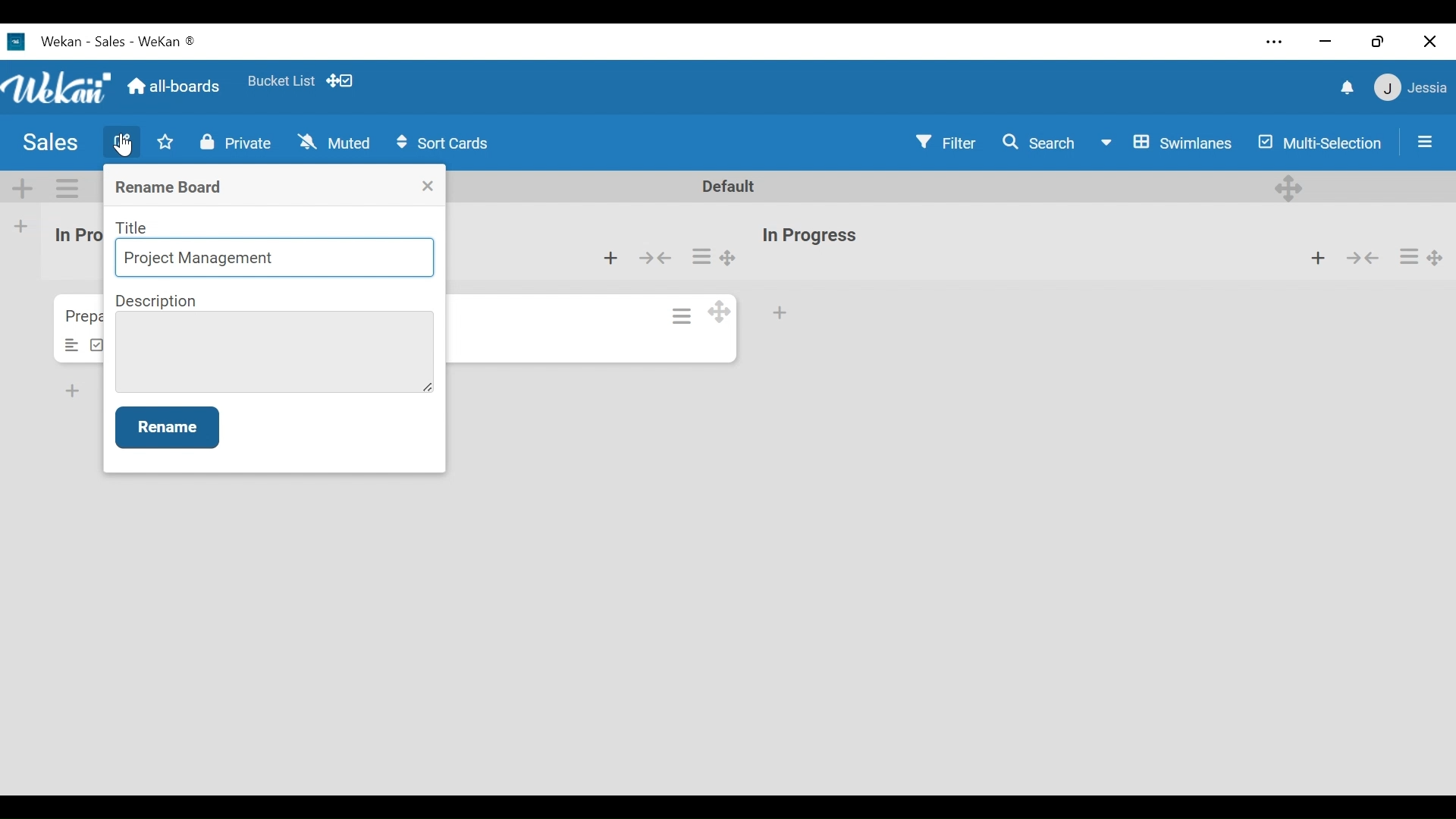 This screenshot has height=819, width=1456. Describe the element at coordinates (1382, 40) in the screenshot. I see `Restore` at that location.